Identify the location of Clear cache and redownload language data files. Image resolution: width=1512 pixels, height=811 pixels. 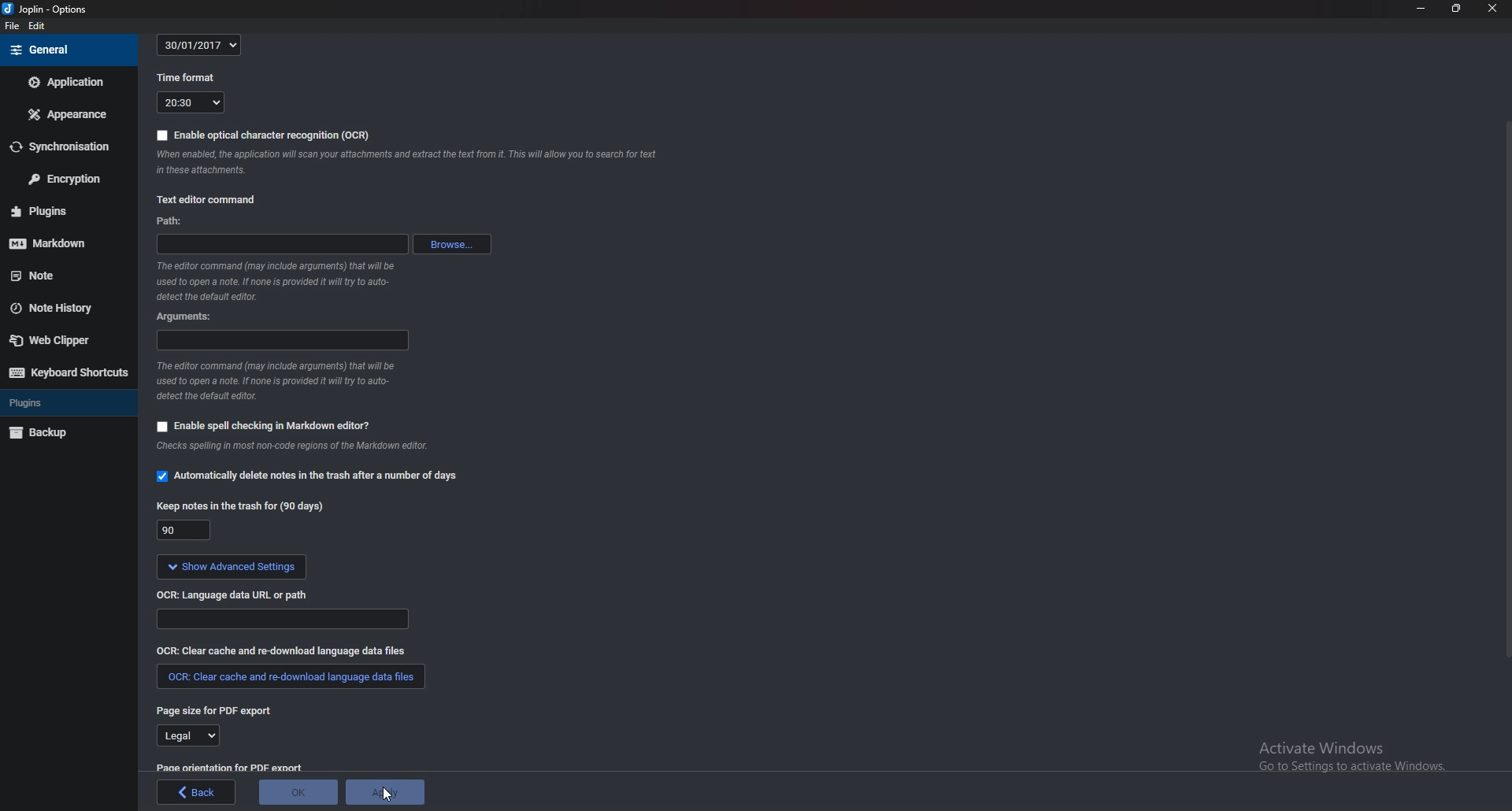
(288, 678).